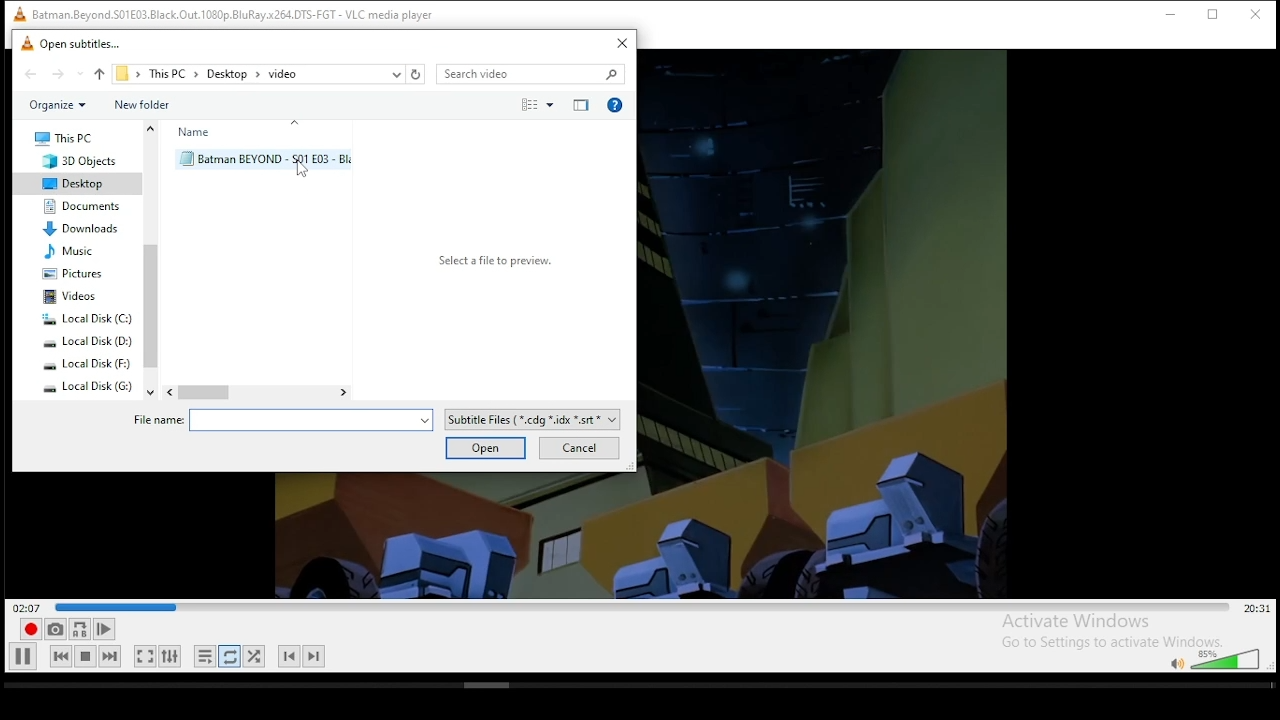 This screenshot has width=1280, height=720. I want to click on subtitle file, so click(264, 158).